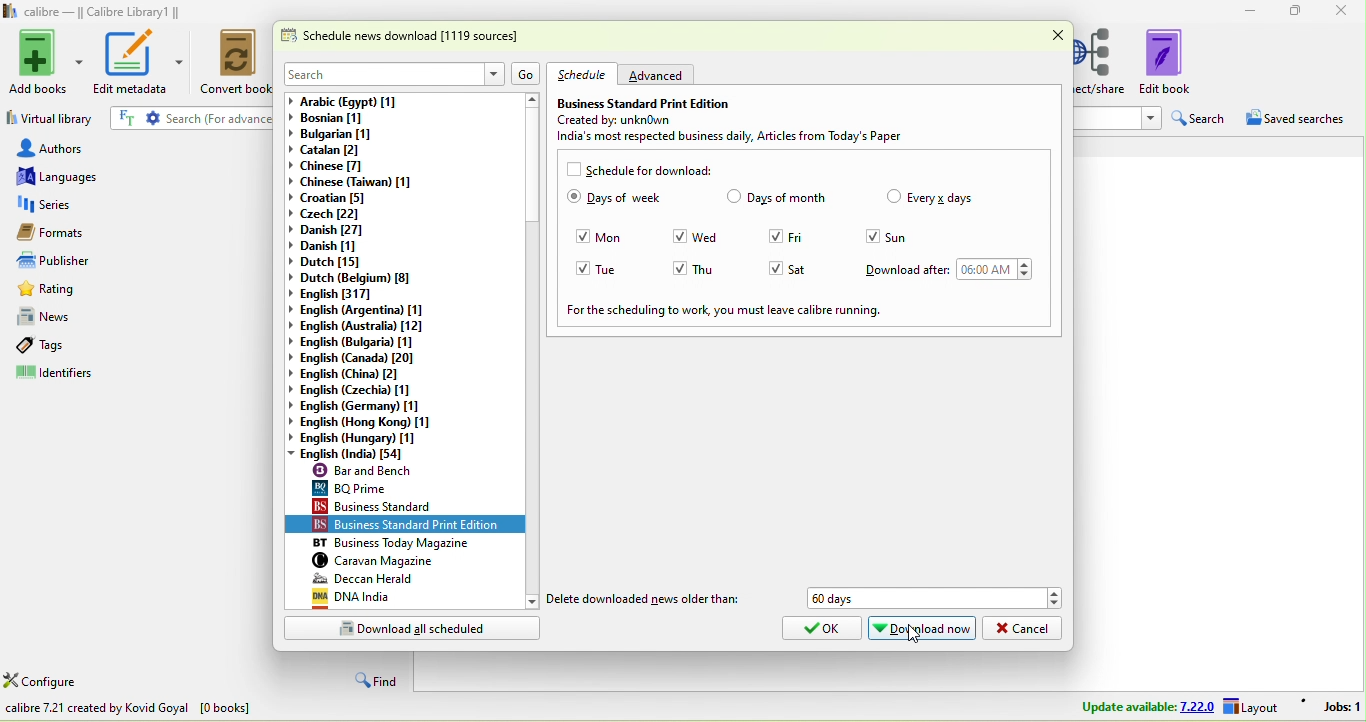 Image resolution: width=1366 pixels, height=722 pixels. What do you see at coordinates (378, 678) in the screenshot?
I see `find` at bounding box center [378, 678].